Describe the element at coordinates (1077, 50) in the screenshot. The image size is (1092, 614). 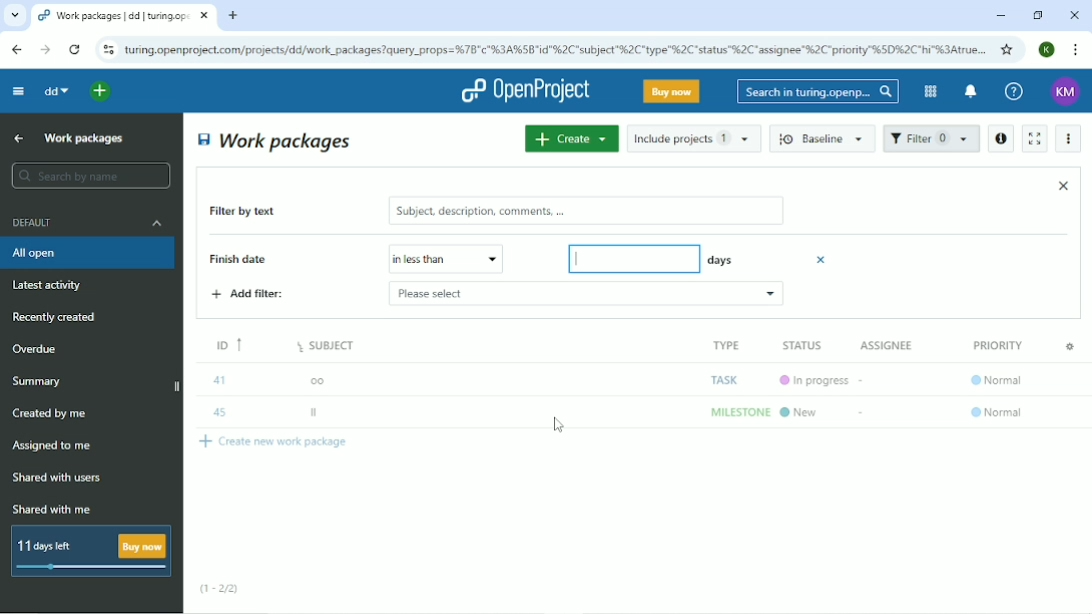
I see `Customize and control google chrome` at that location.